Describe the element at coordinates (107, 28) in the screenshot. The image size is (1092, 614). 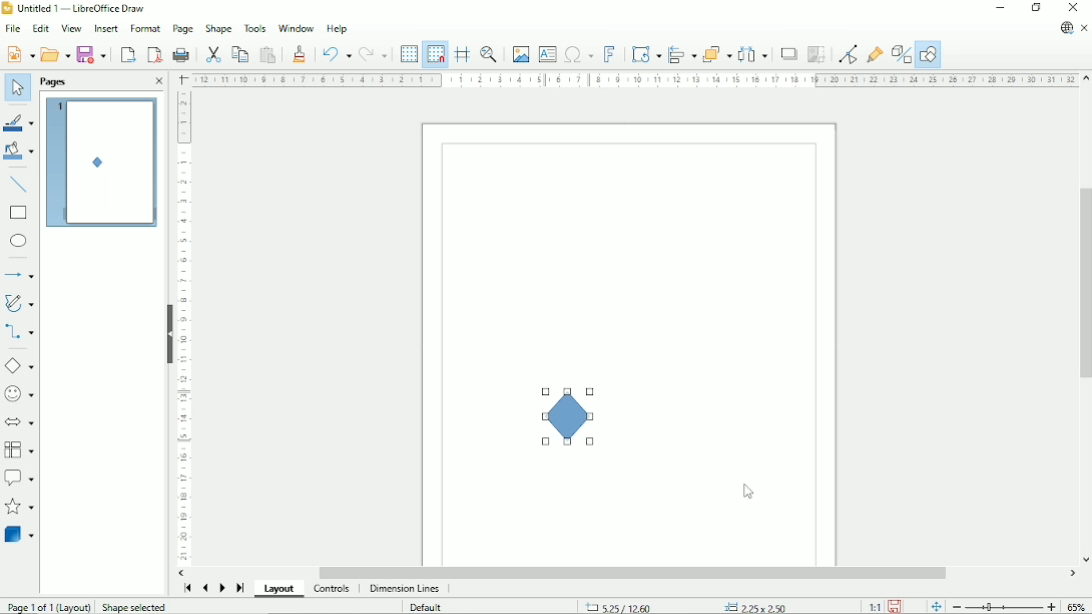
I see `Insert` at that location.